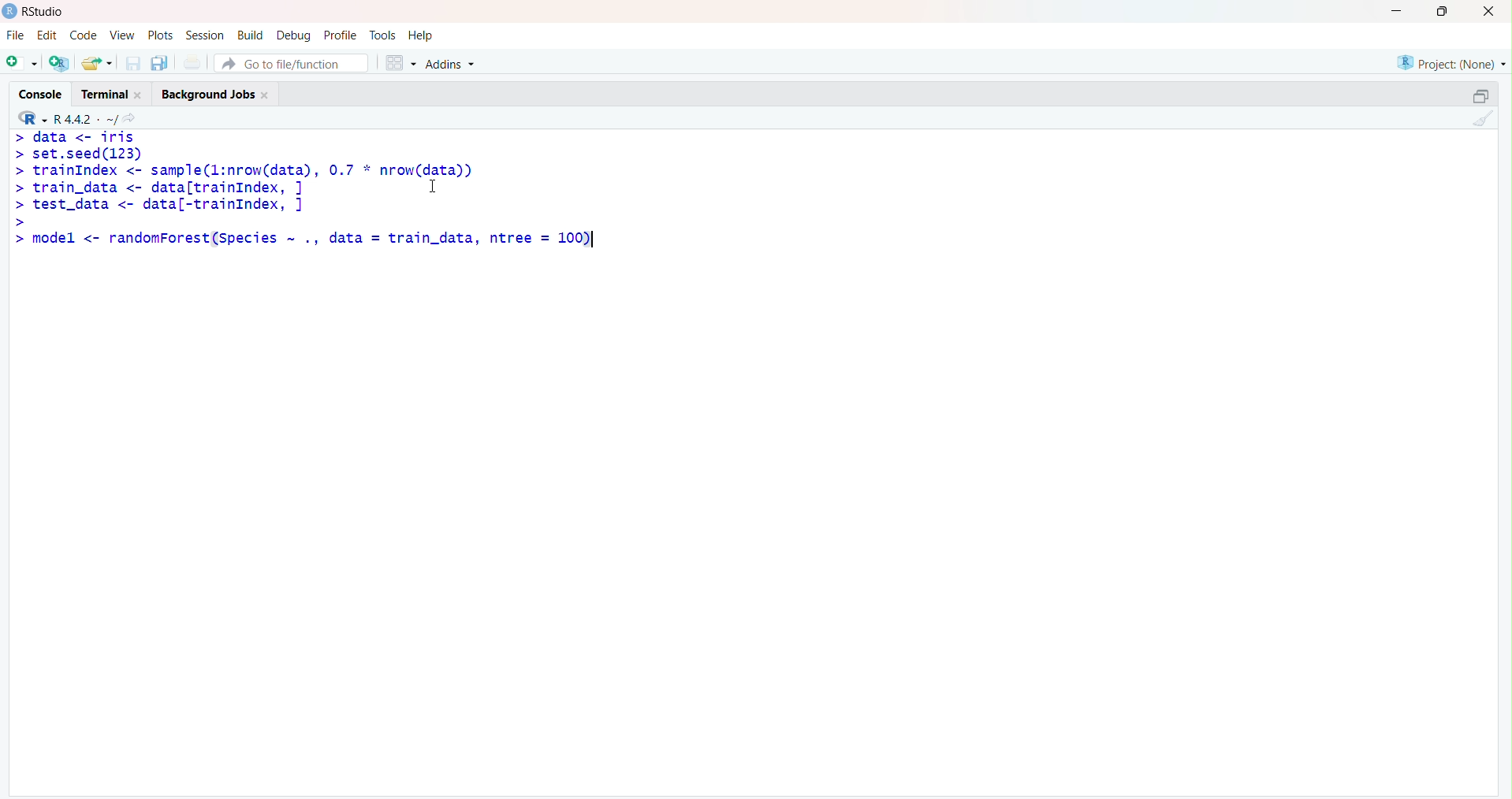 The image size is (1512, 799). Describe the element at coordinates (1489, 13) in the screenshot. I see `Close` at that location.